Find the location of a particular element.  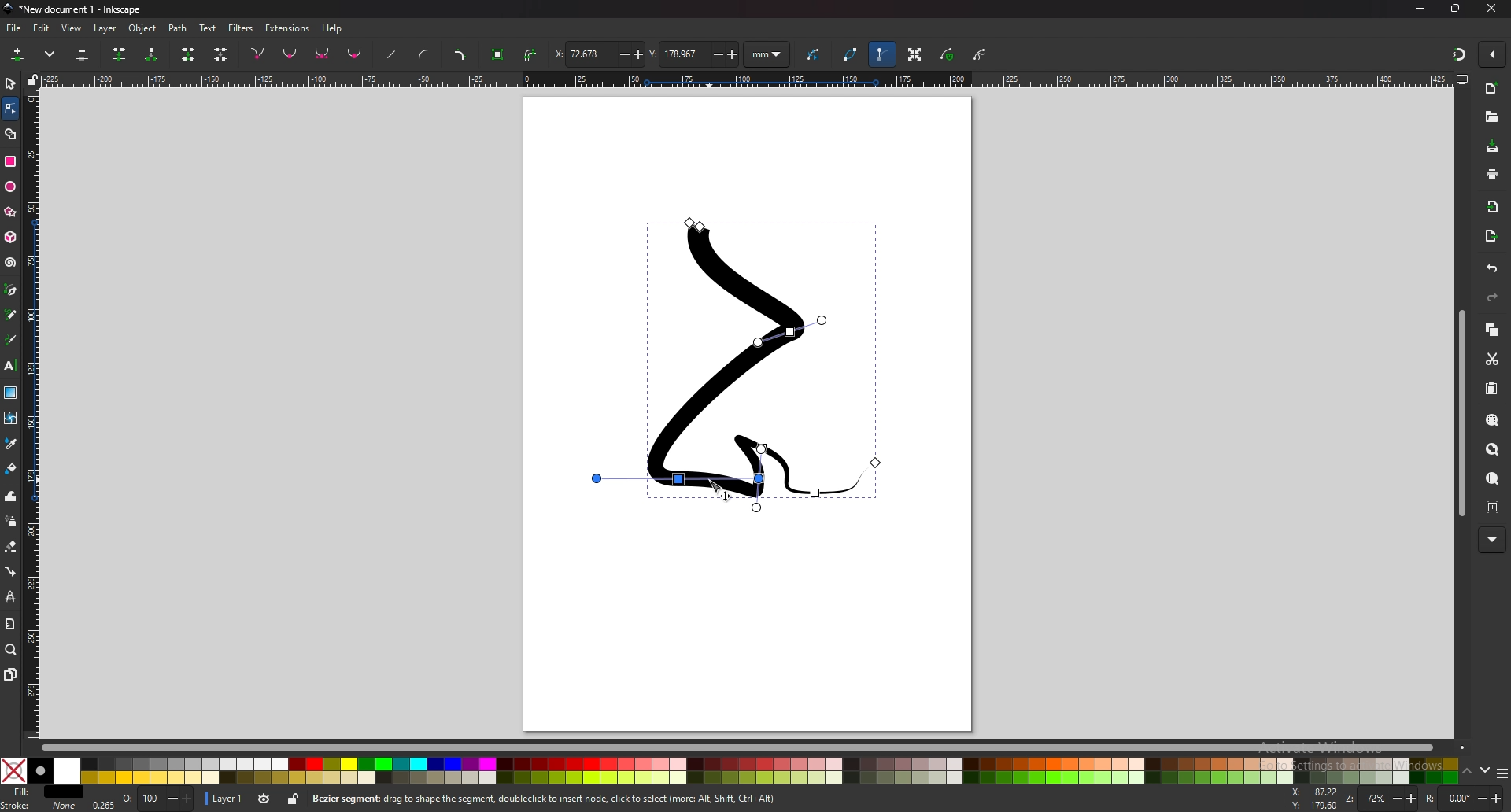

fill is located at coordinates (43, 792).